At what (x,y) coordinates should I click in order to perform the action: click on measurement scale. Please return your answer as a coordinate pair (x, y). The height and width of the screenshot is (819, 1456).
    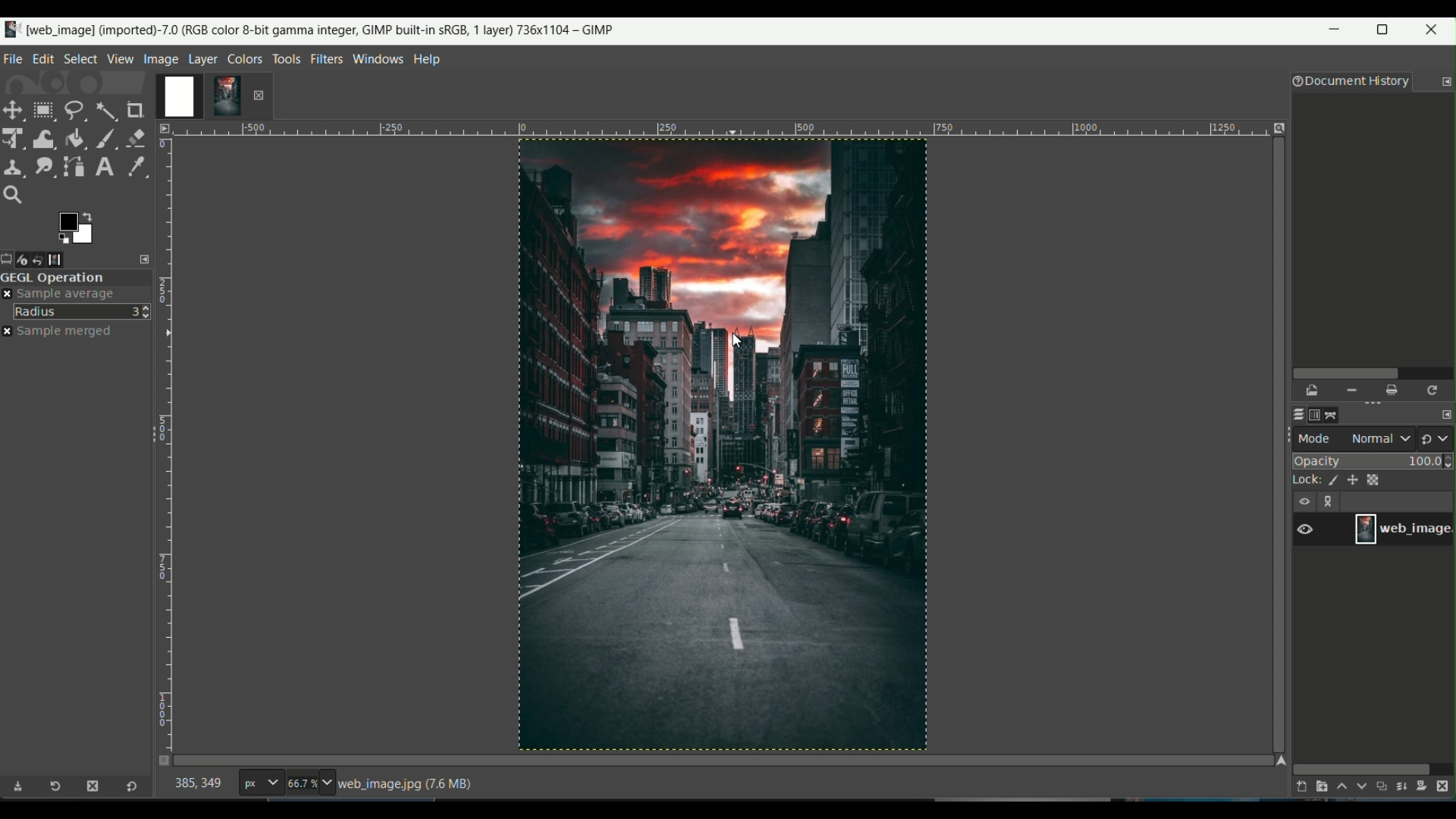
    Looking at the image, I should click on (260, 784).